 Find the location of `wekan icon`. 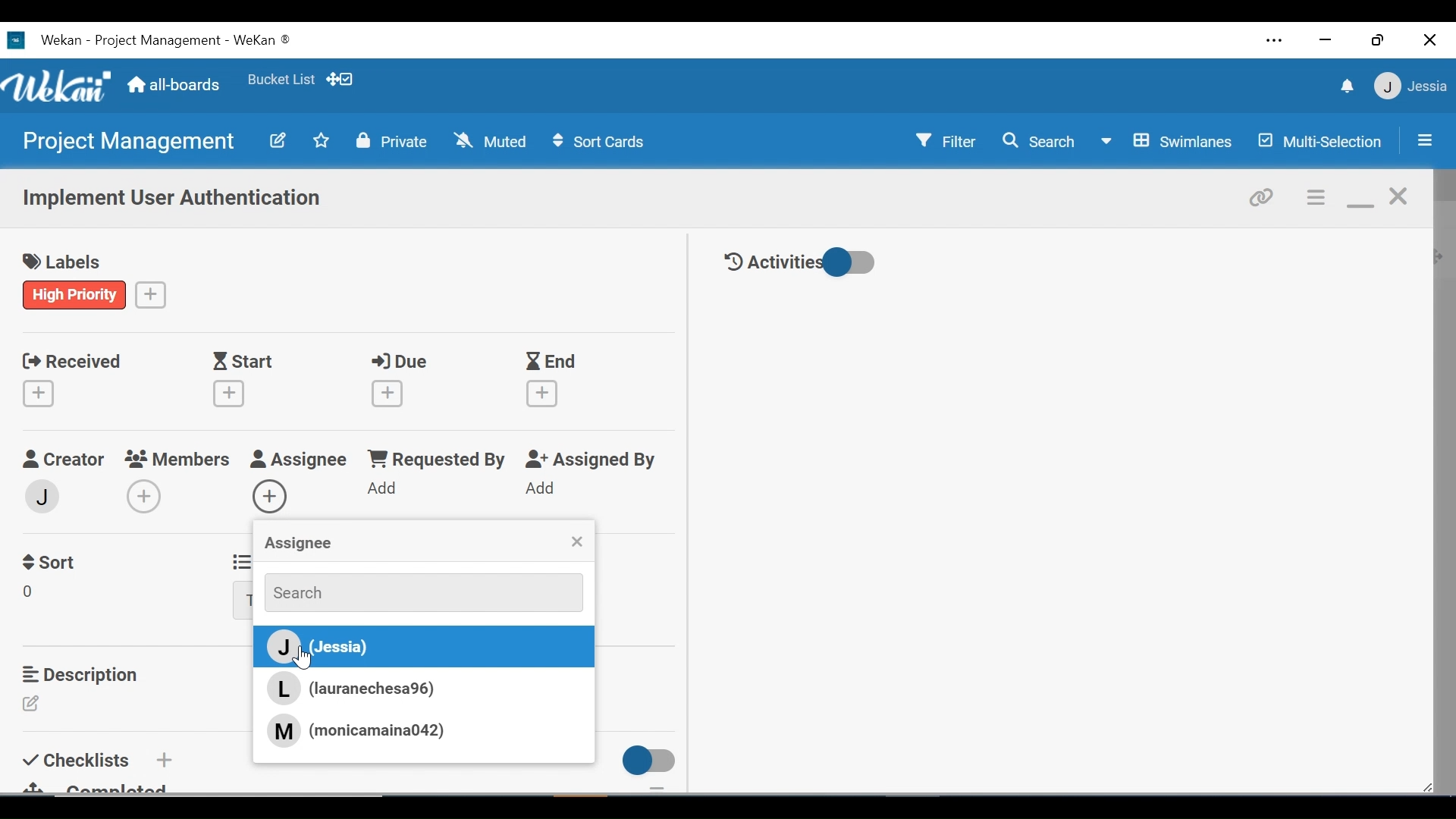

wekan icon is located at coordinates (20, 40).